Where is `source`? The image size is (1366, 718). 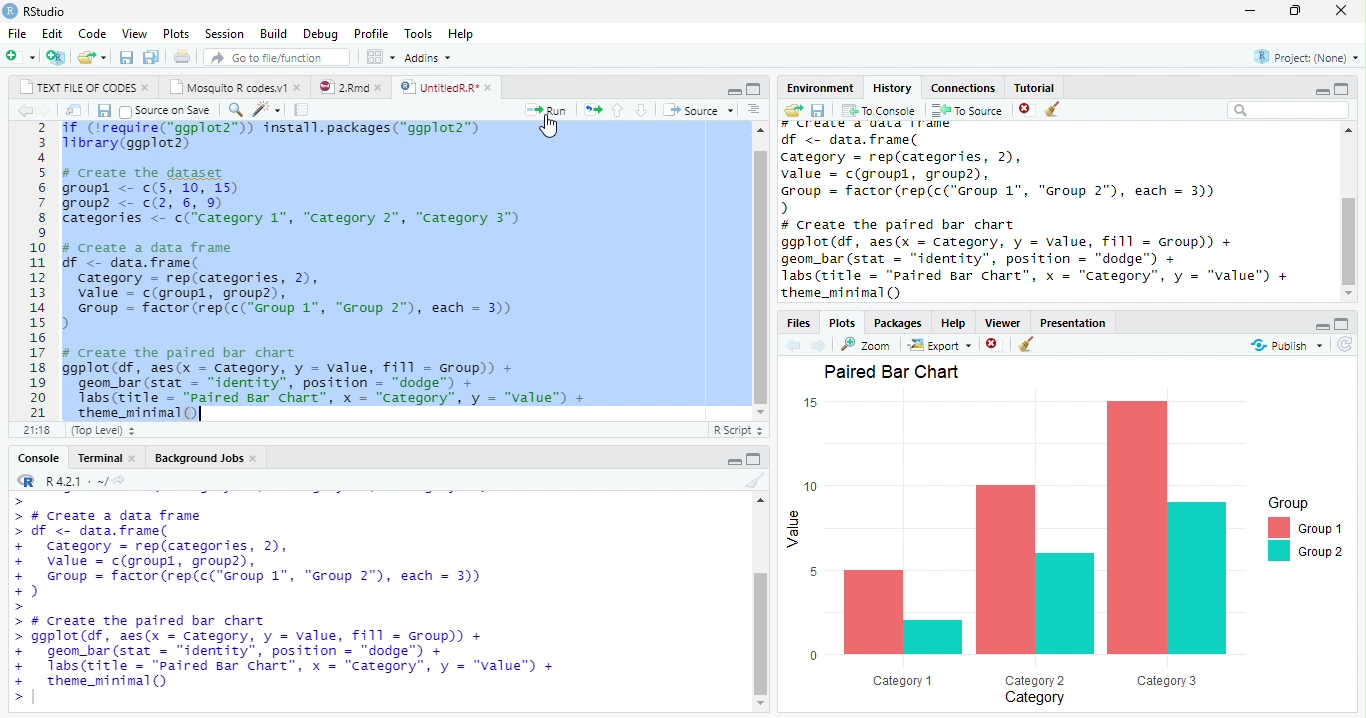
source is located at coordinates (697, 110).